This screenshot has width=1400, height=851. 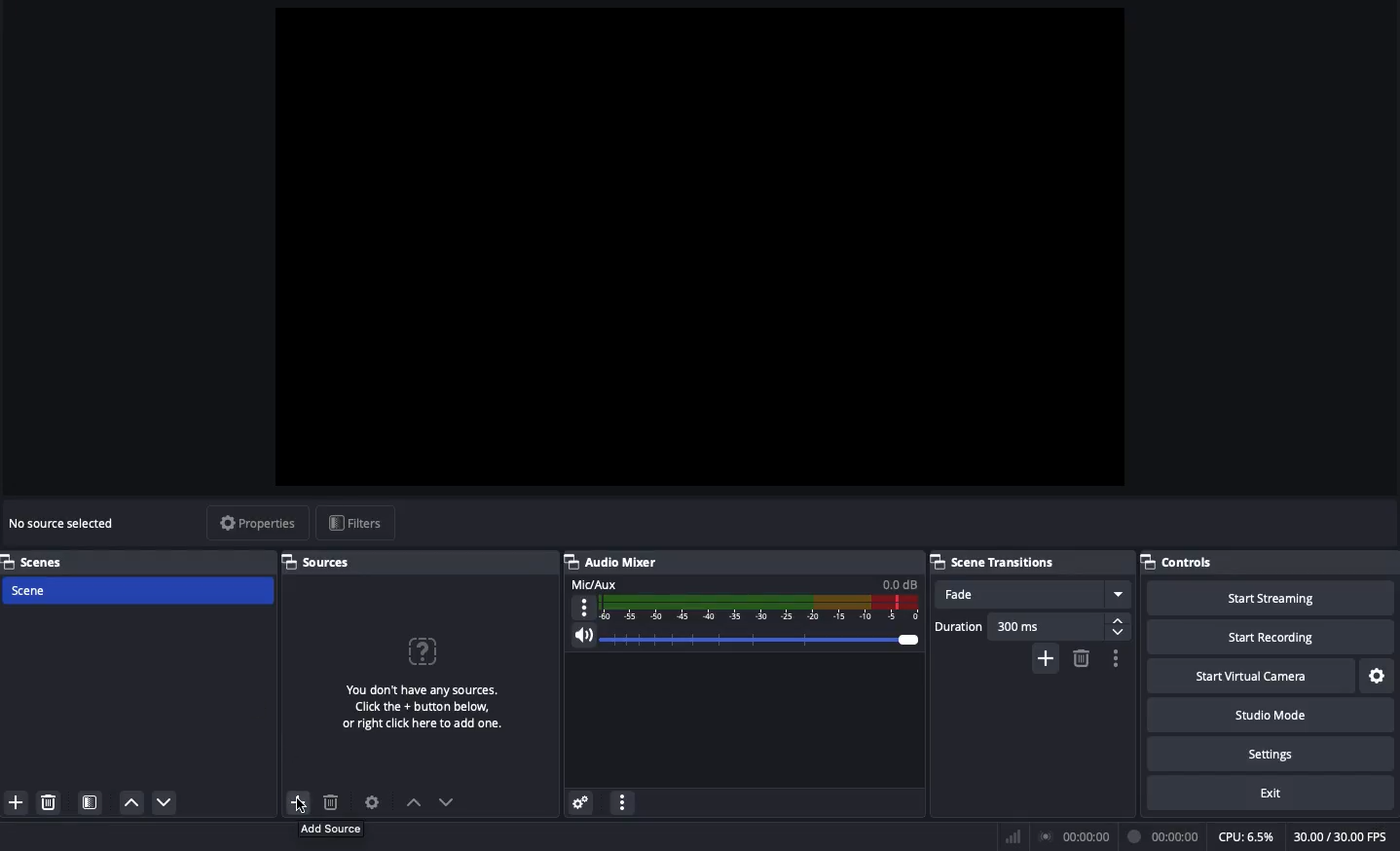 What do you see at coordinates (89, 798) in the screenshot?
I see `Scene filter` at bounding box center [89, 798].